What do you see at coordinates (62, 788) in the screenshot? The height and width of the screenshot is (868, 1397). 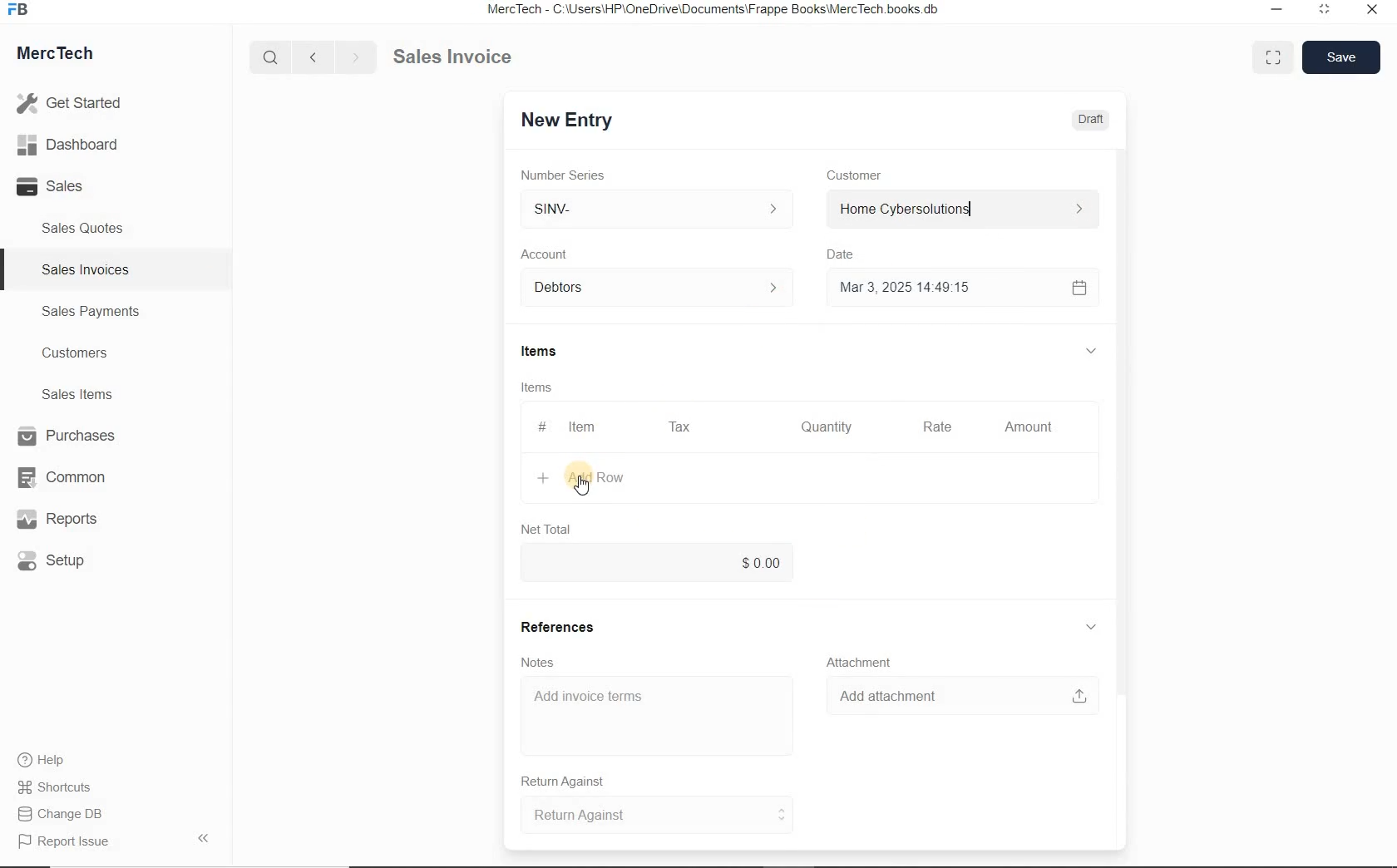 I see `Shortcuts` at bounding box center [62, 788].